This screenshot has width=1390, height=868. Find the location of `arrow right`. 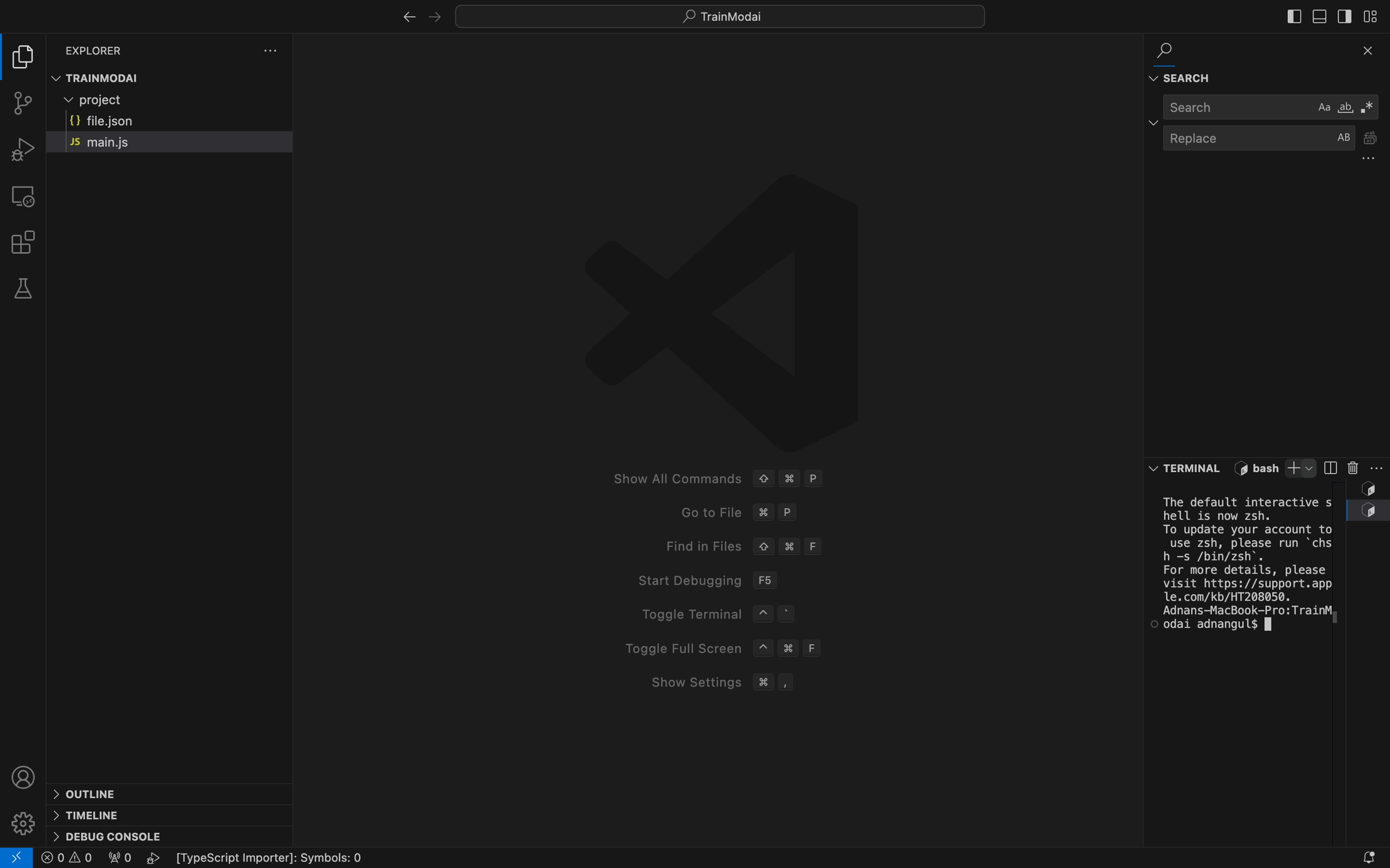

arrow right is located at coordinates (439, 17).